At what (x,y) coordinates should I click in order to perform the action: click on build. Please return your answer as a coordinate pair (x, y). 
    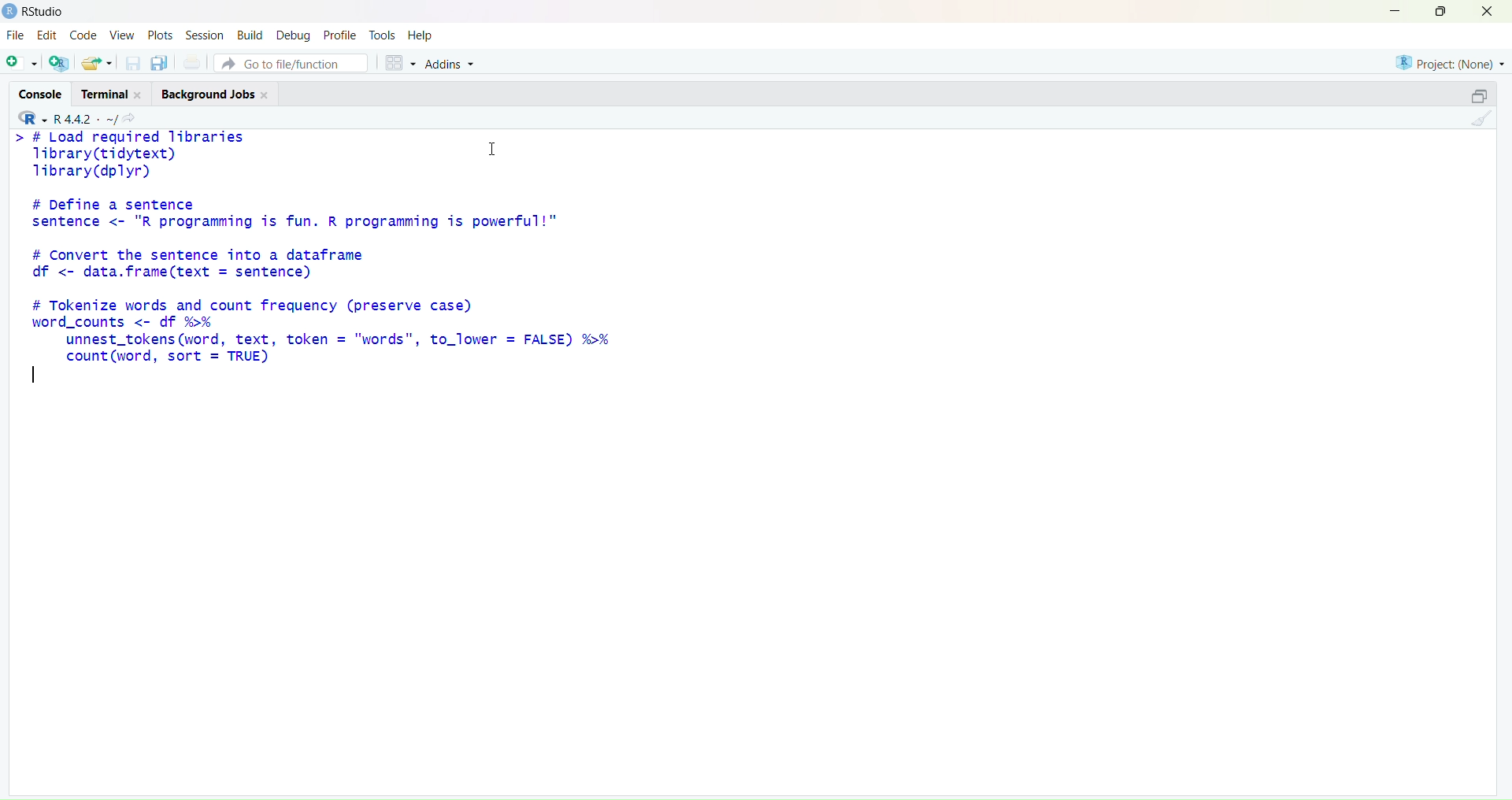
    Looking at the image, I should click on (251, 35).